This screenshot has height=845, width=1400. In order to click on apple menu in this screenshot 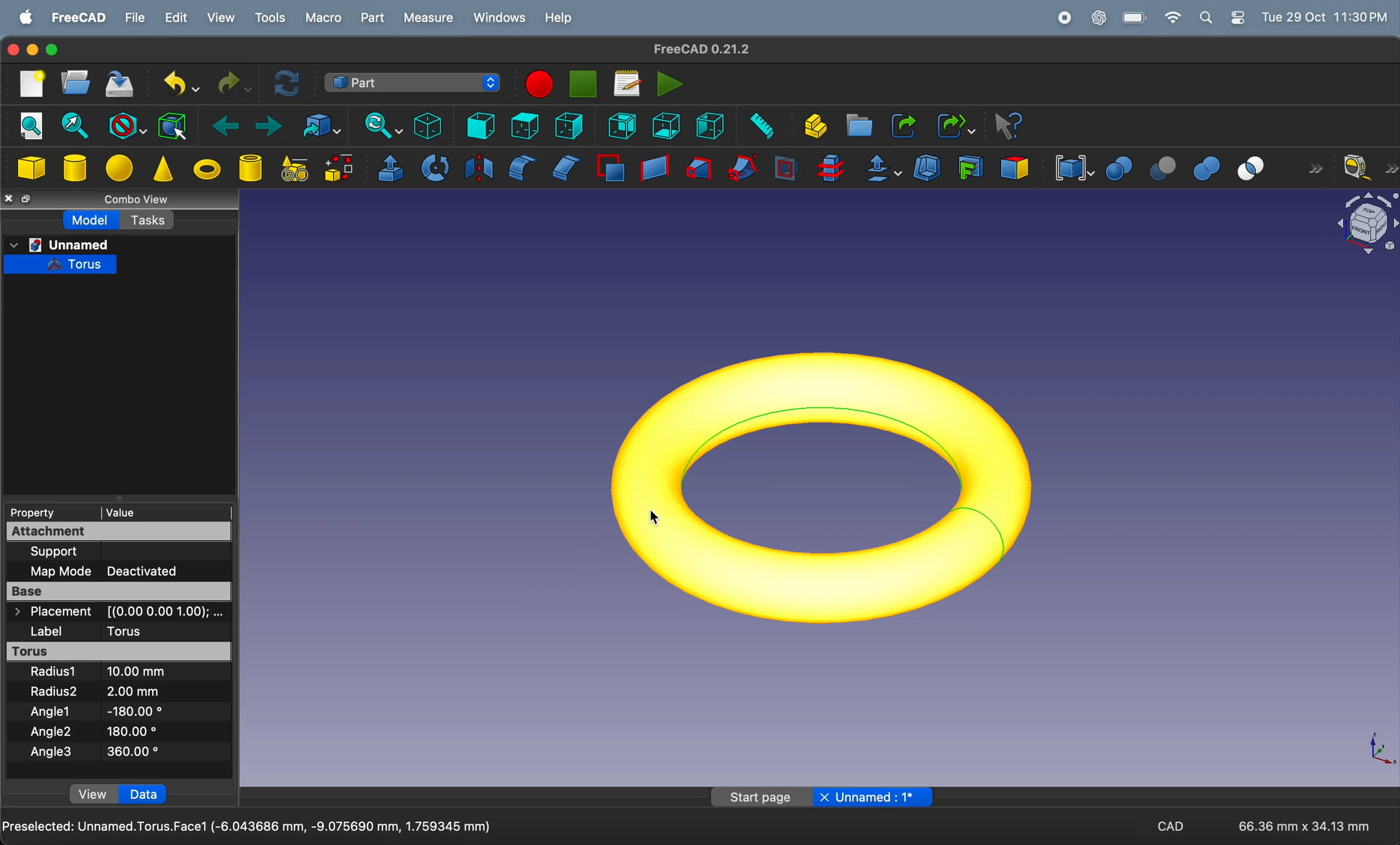, I will do `click(22, 16)`.